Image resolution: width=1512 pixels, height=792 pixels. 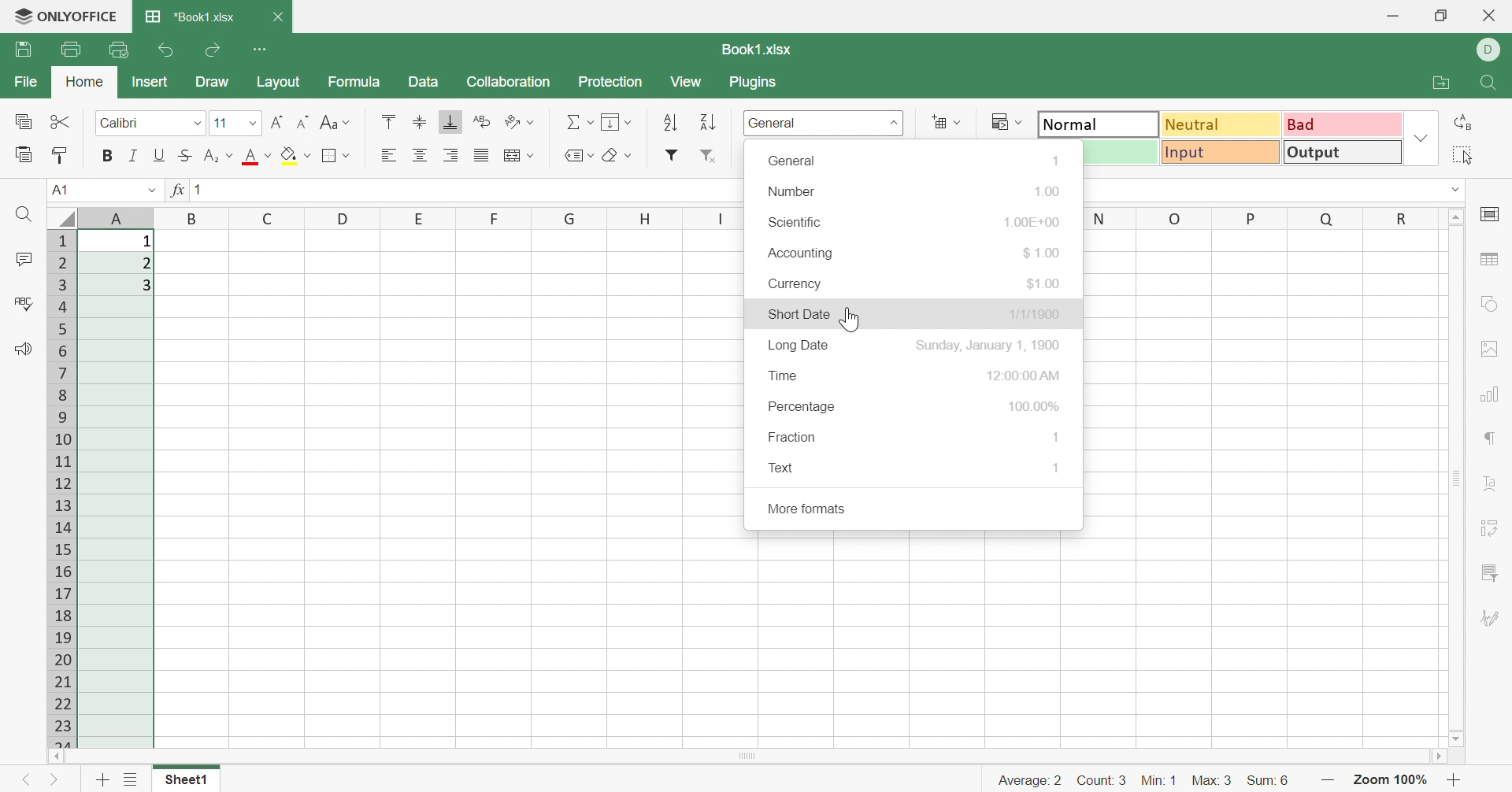 I want to click on 1, so click(x=1056, y=160).